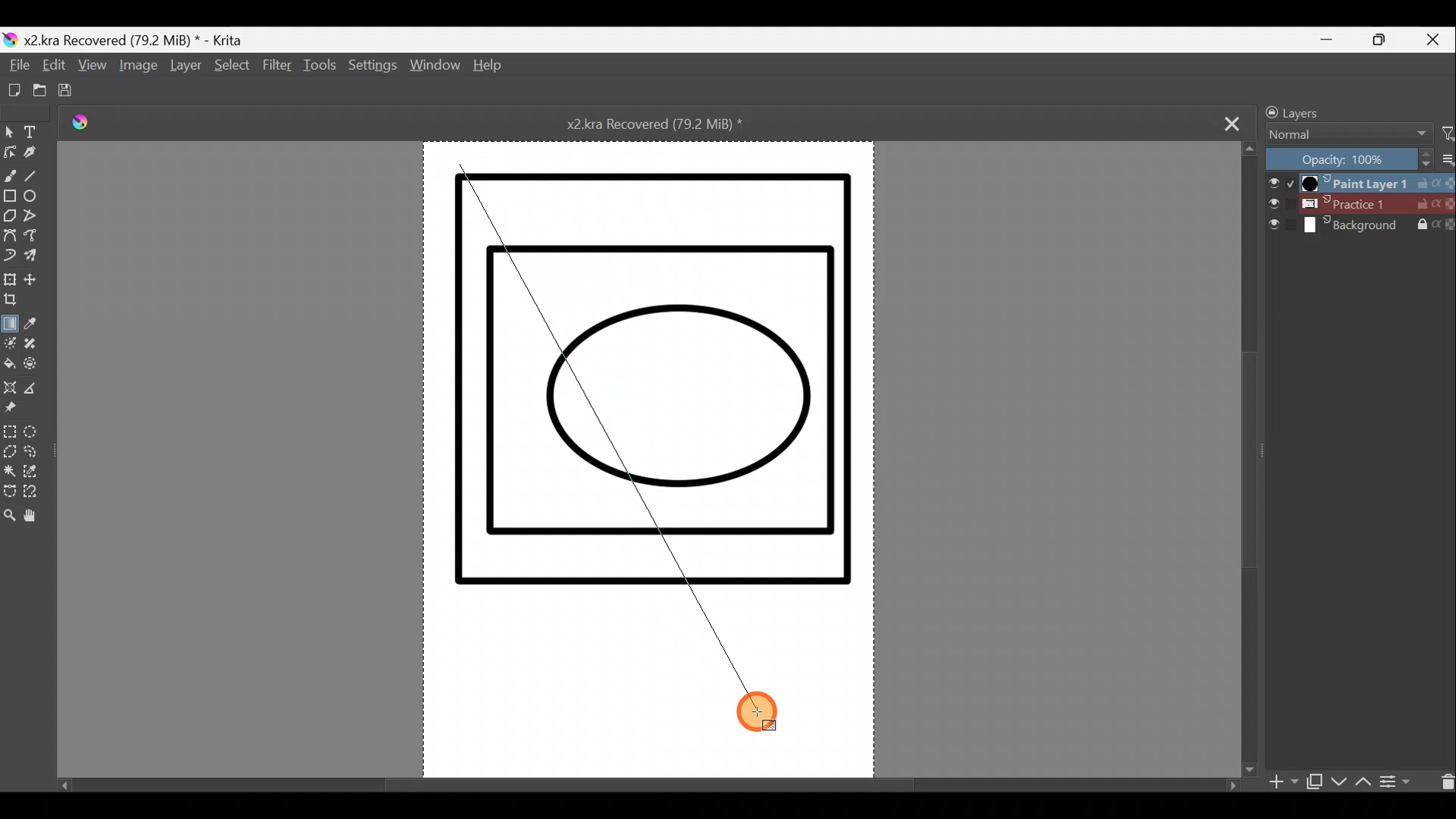 The width and height of the screenshot is (1456, 819). I want to click on Pan tool, so click(35, 519).